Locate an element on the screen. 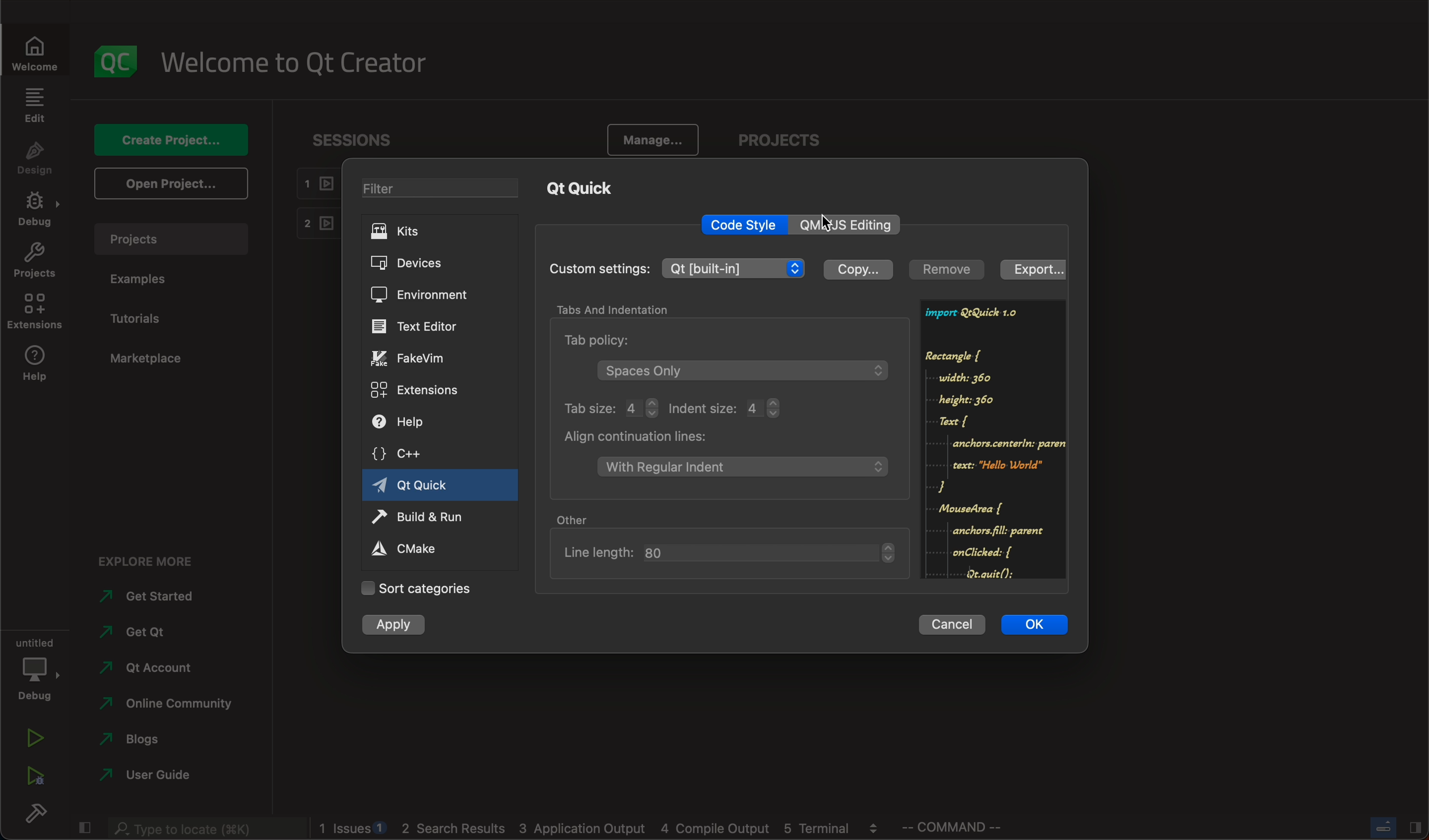  editing is located at coordinates (846, 225).